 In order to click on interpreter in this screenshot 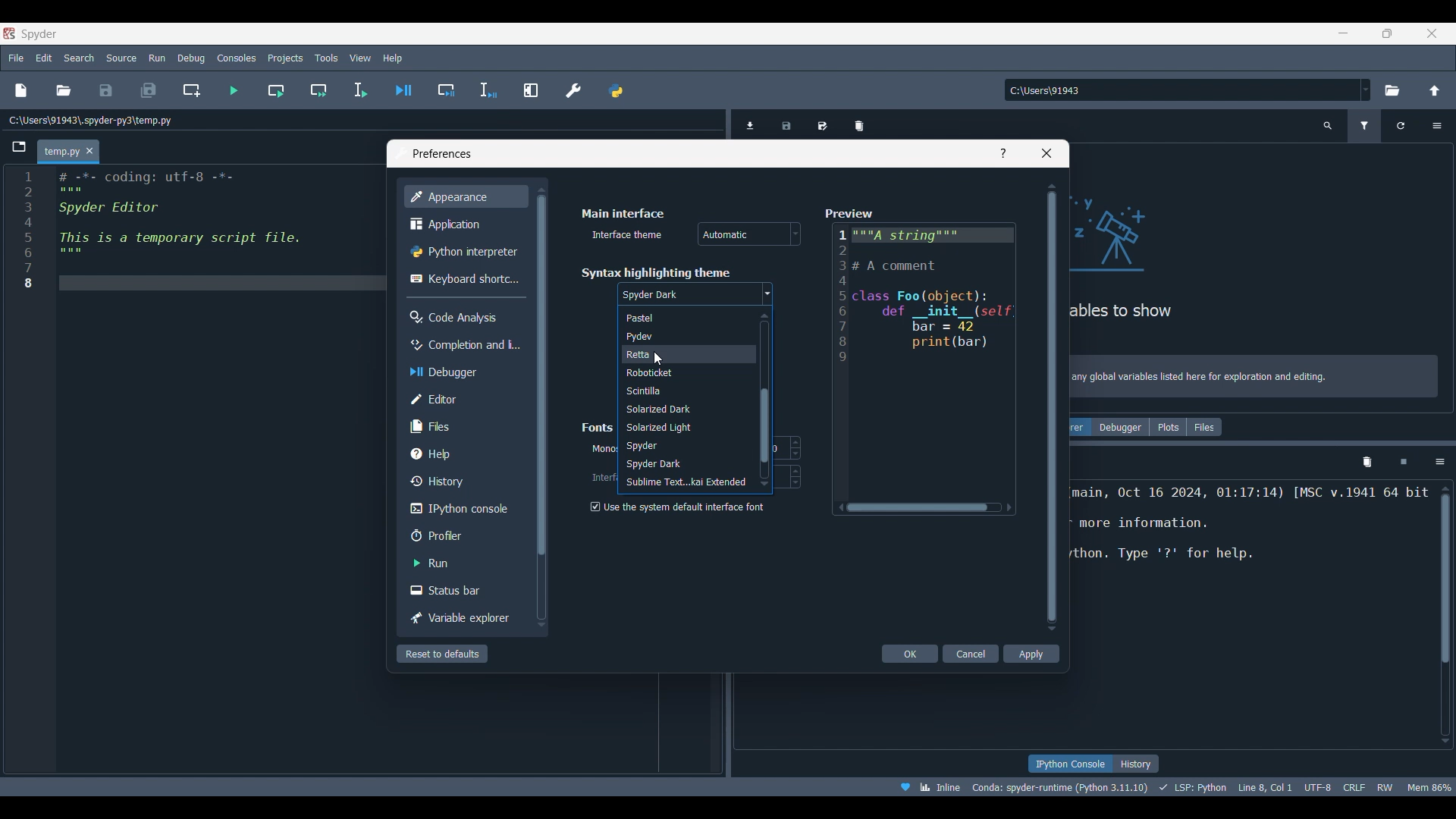, I will do `click(1061, 787)`.